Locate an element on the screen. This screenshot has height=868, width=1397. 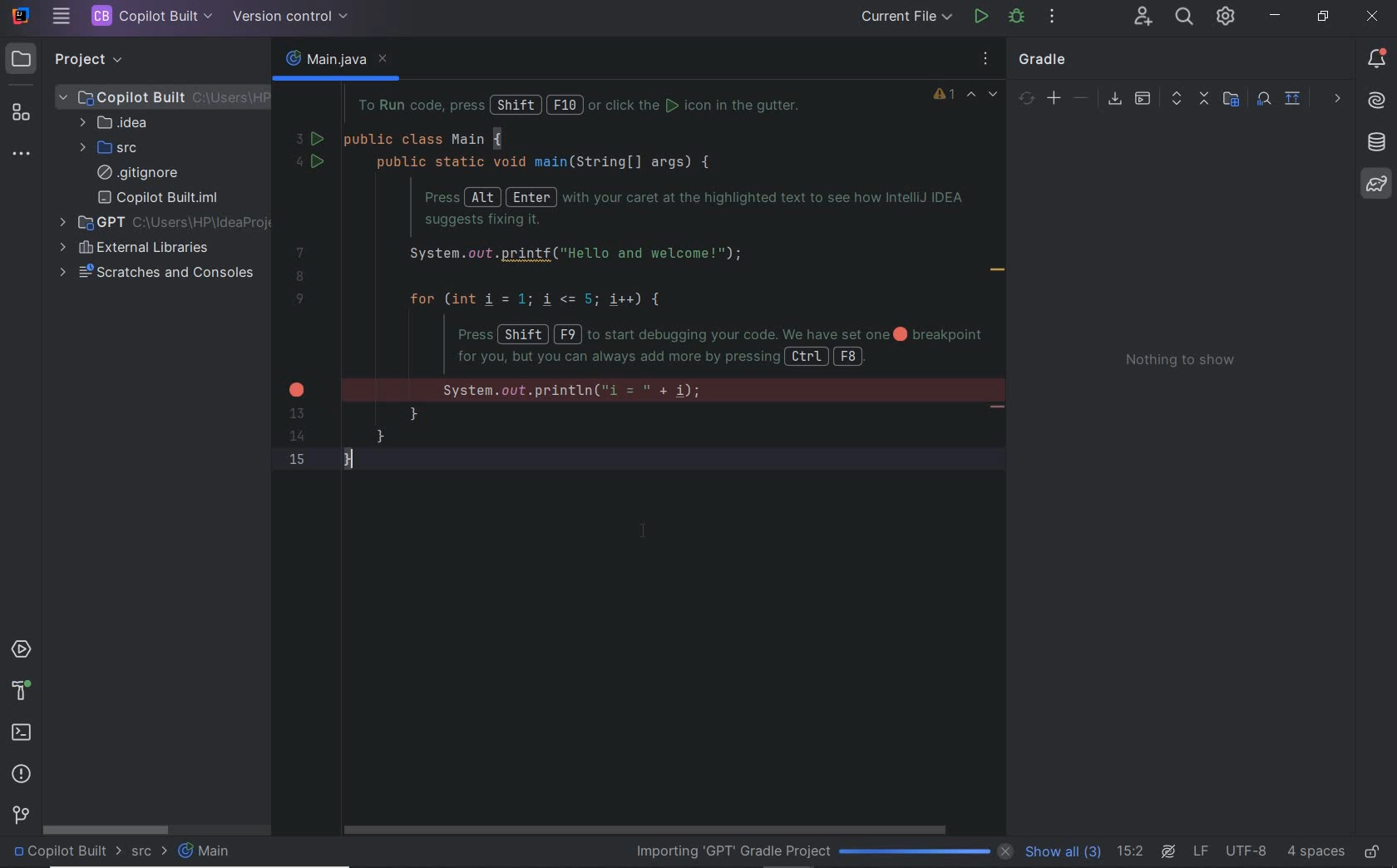
line separator is located at coordinates (1203, 852).